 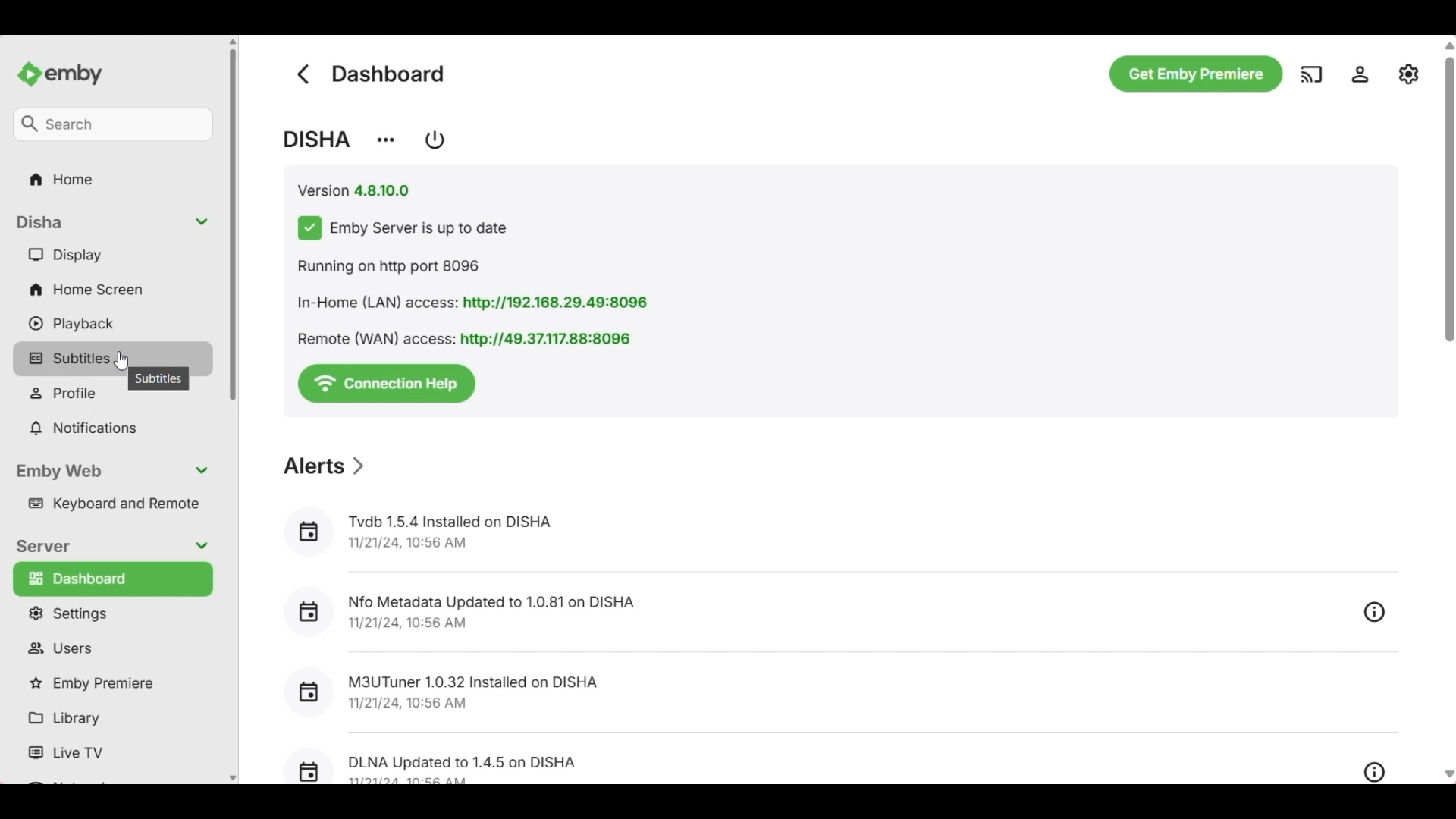 What do you see at coordinates (114, 428) in the screenshot?
I see `Notification` at bounding box center [114, 428].